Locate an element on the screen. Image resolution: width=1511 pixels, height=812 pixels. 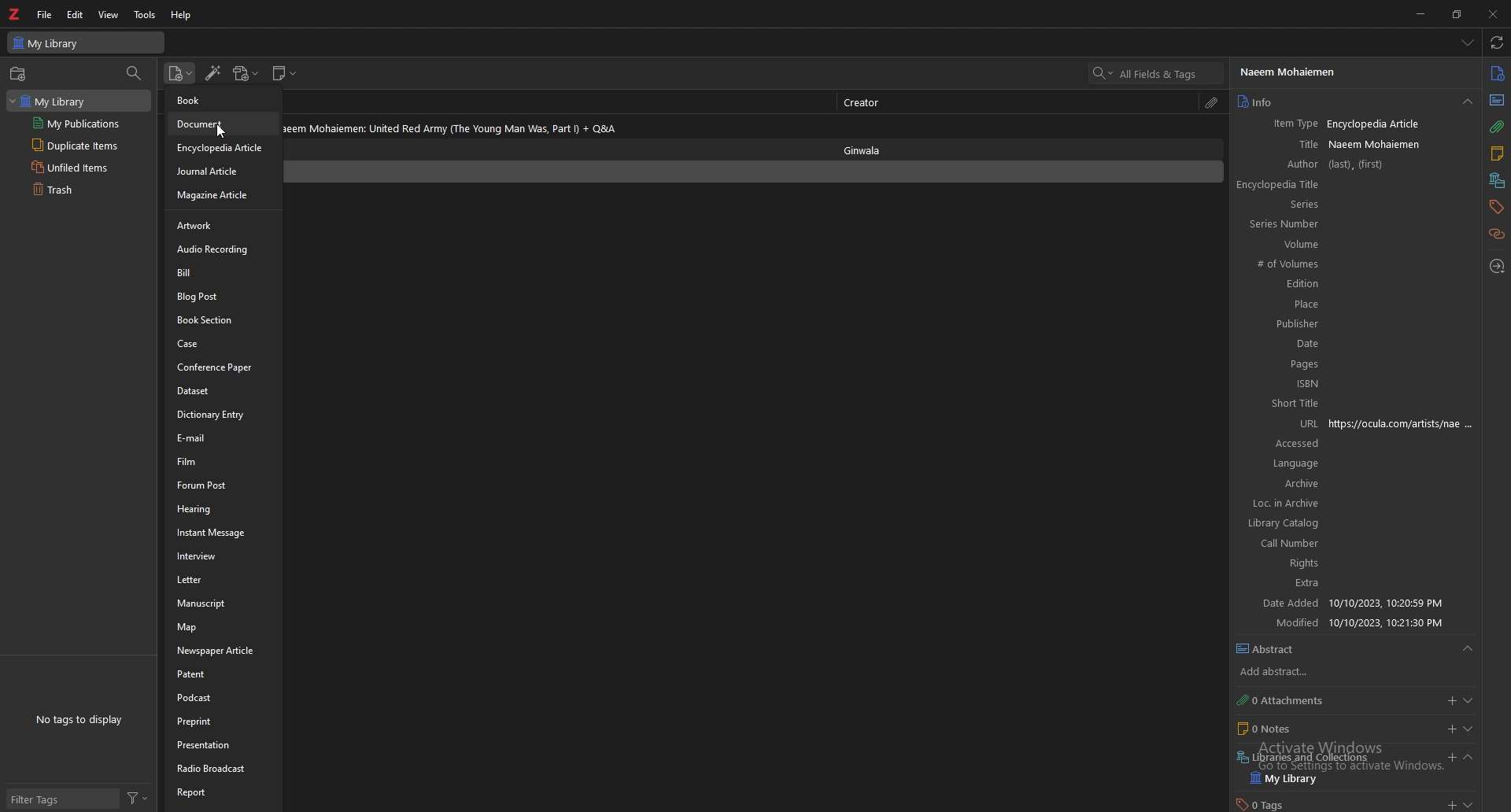
creator is located at coordinates (866, 101).